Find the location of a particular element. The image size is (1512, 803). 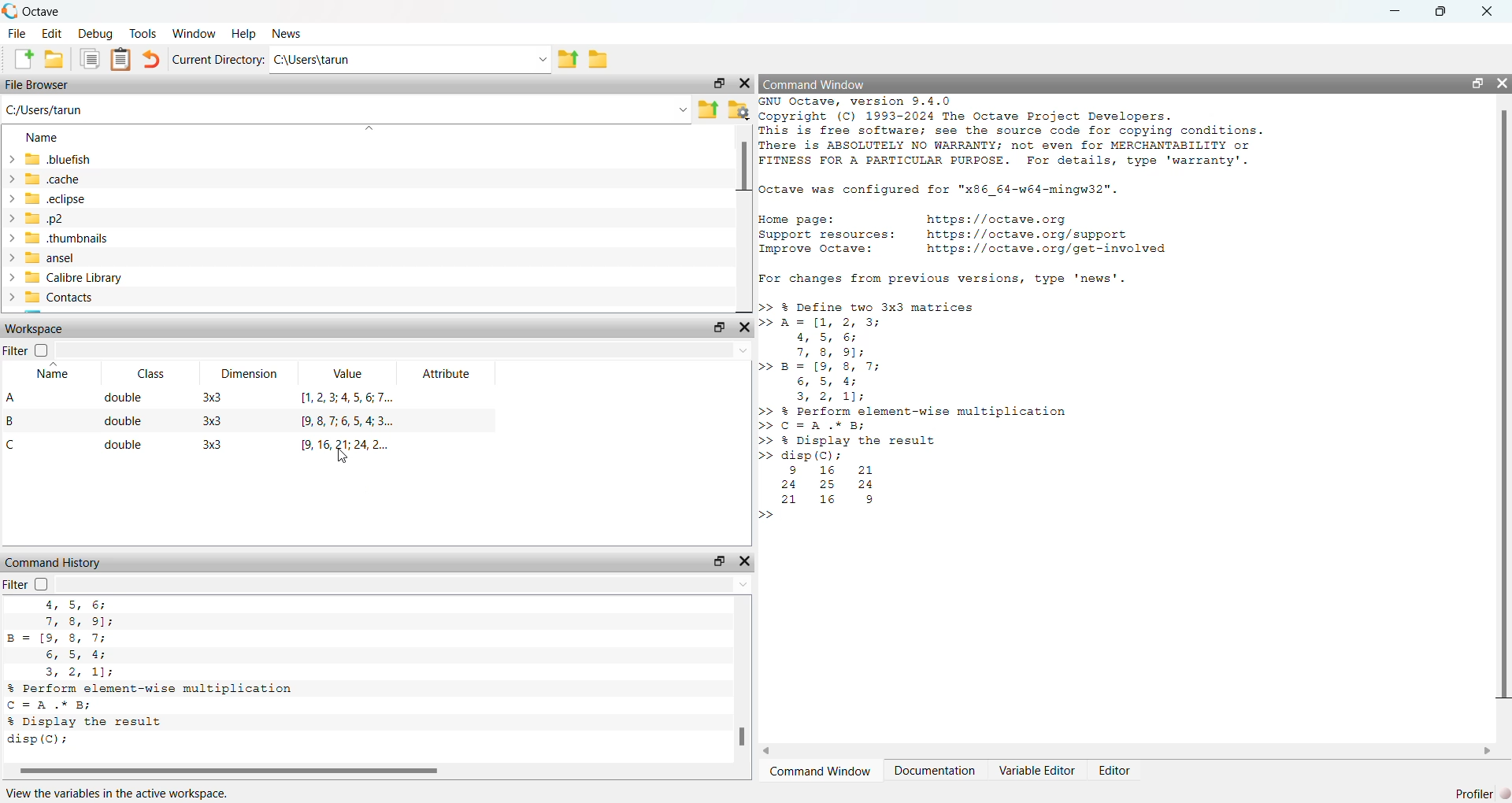

C:/Users/tarun is located at coordinates (347, 111).